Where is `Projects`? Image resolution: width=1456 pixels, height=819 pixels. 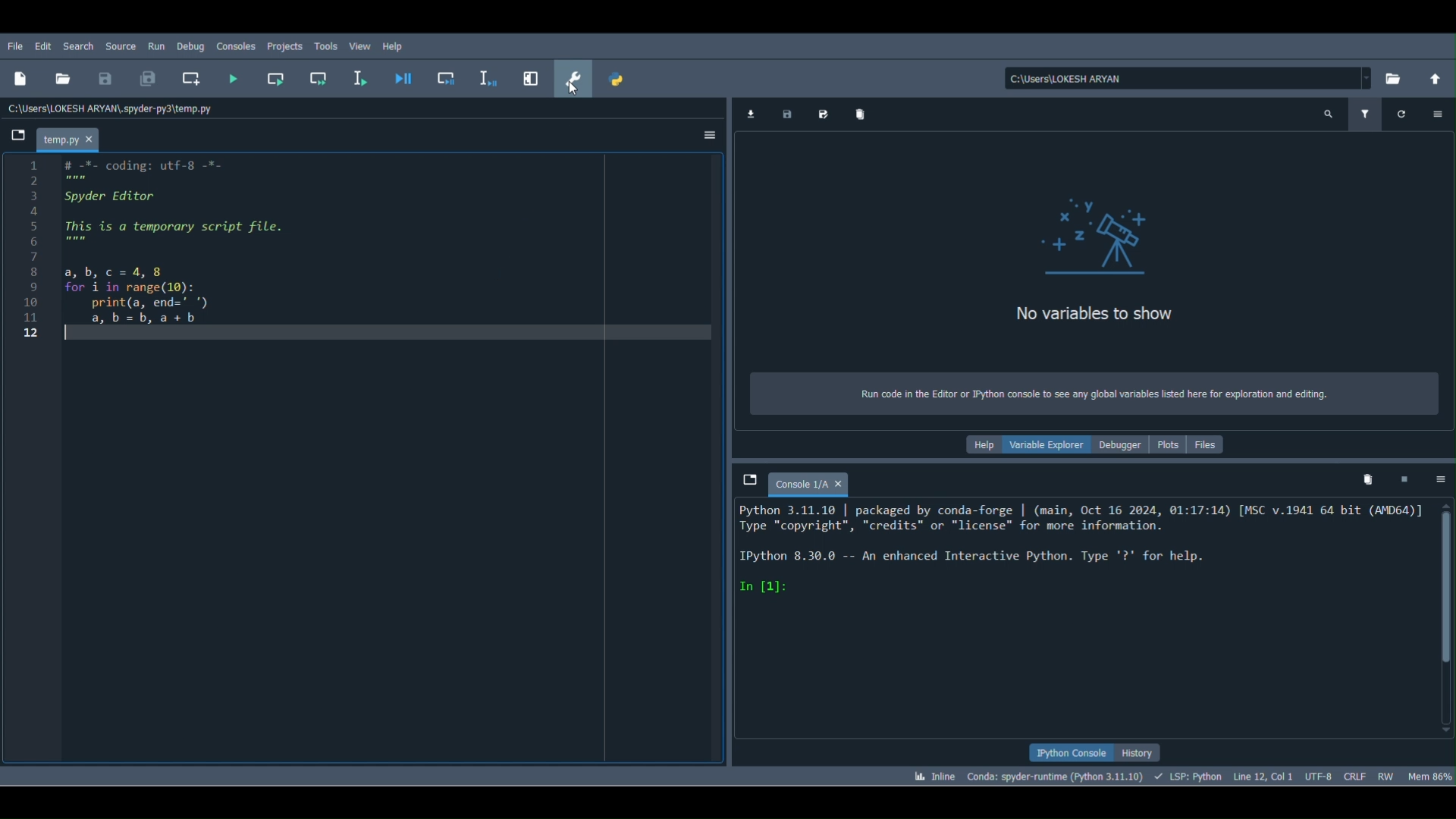 Projects is located at coordinates (285, 47).